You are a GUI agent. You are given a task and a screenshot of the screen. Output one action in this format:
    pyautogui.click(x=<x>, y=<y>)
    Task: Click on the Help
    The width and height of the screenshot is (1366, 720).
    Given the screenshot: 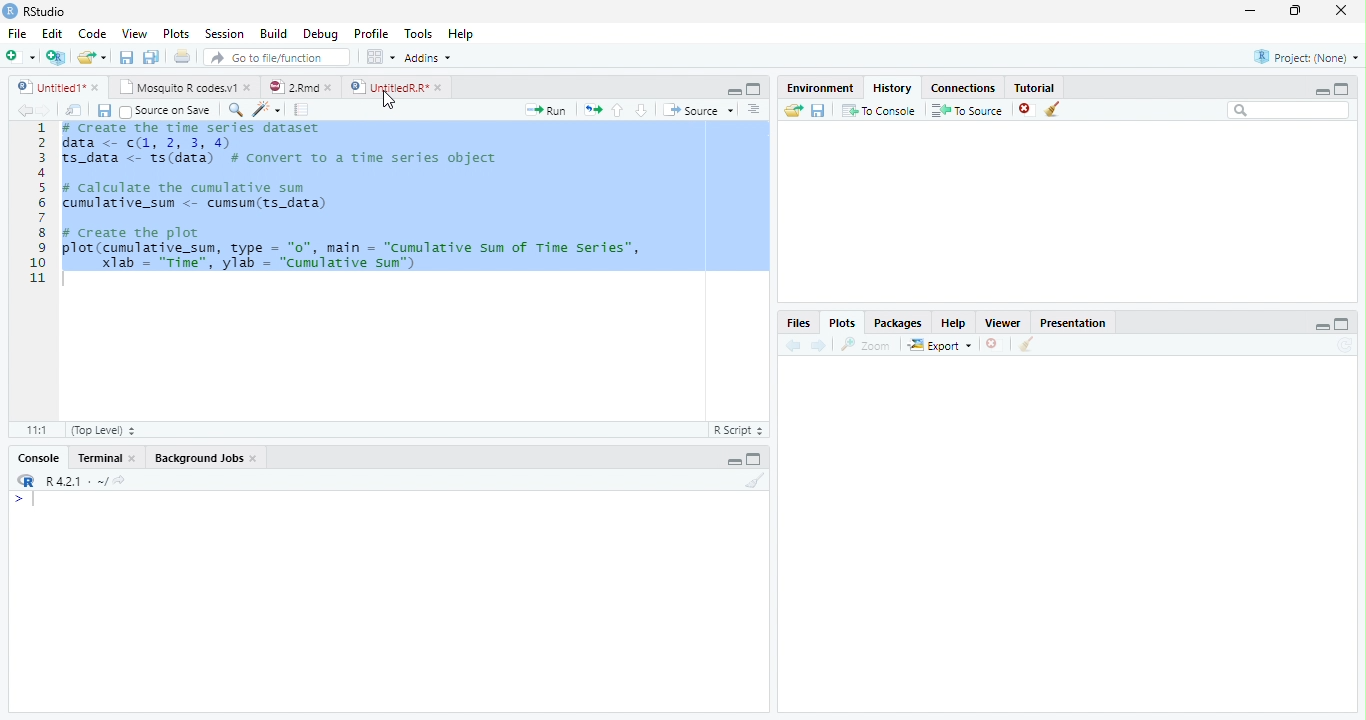 What is the action you would take?
    pyautogui.click(x=953, y=324)
    